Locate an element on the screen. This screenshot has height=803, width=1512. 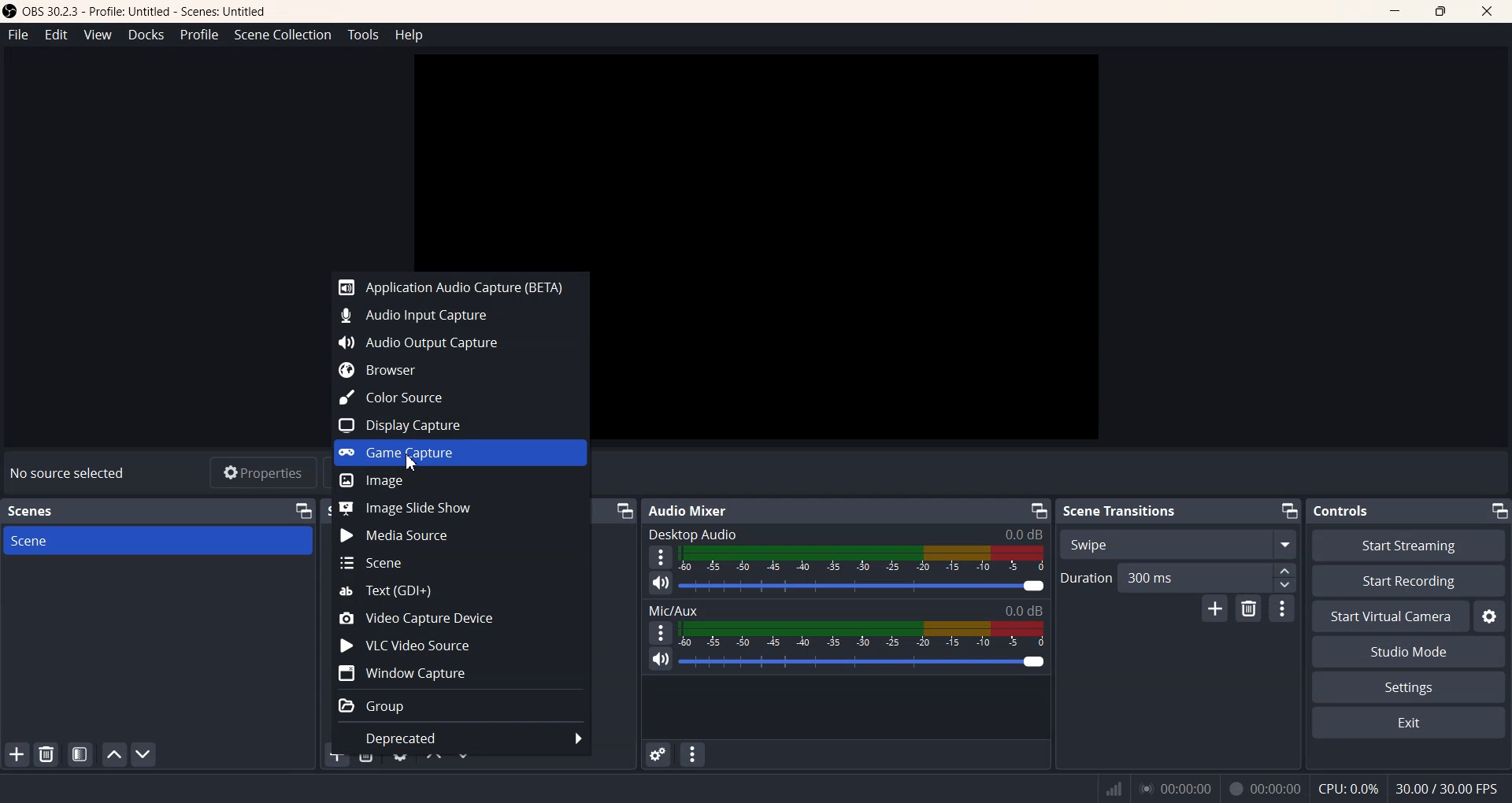
Mute/ Unmute is located at coordinates (661, 659).